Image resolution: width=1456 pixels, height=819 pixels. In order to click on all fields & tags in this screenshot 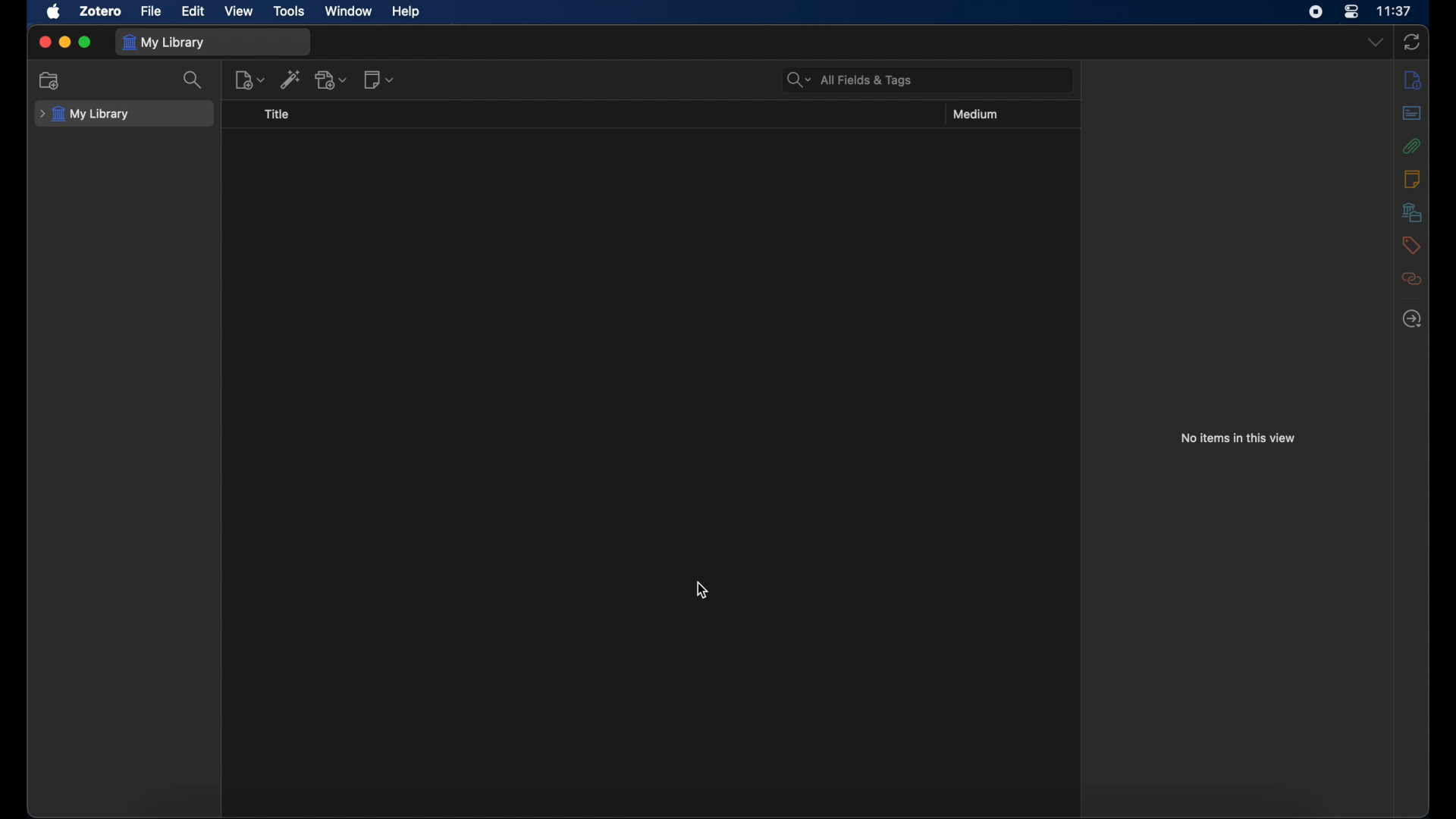, I will do `click(850, 79)`.